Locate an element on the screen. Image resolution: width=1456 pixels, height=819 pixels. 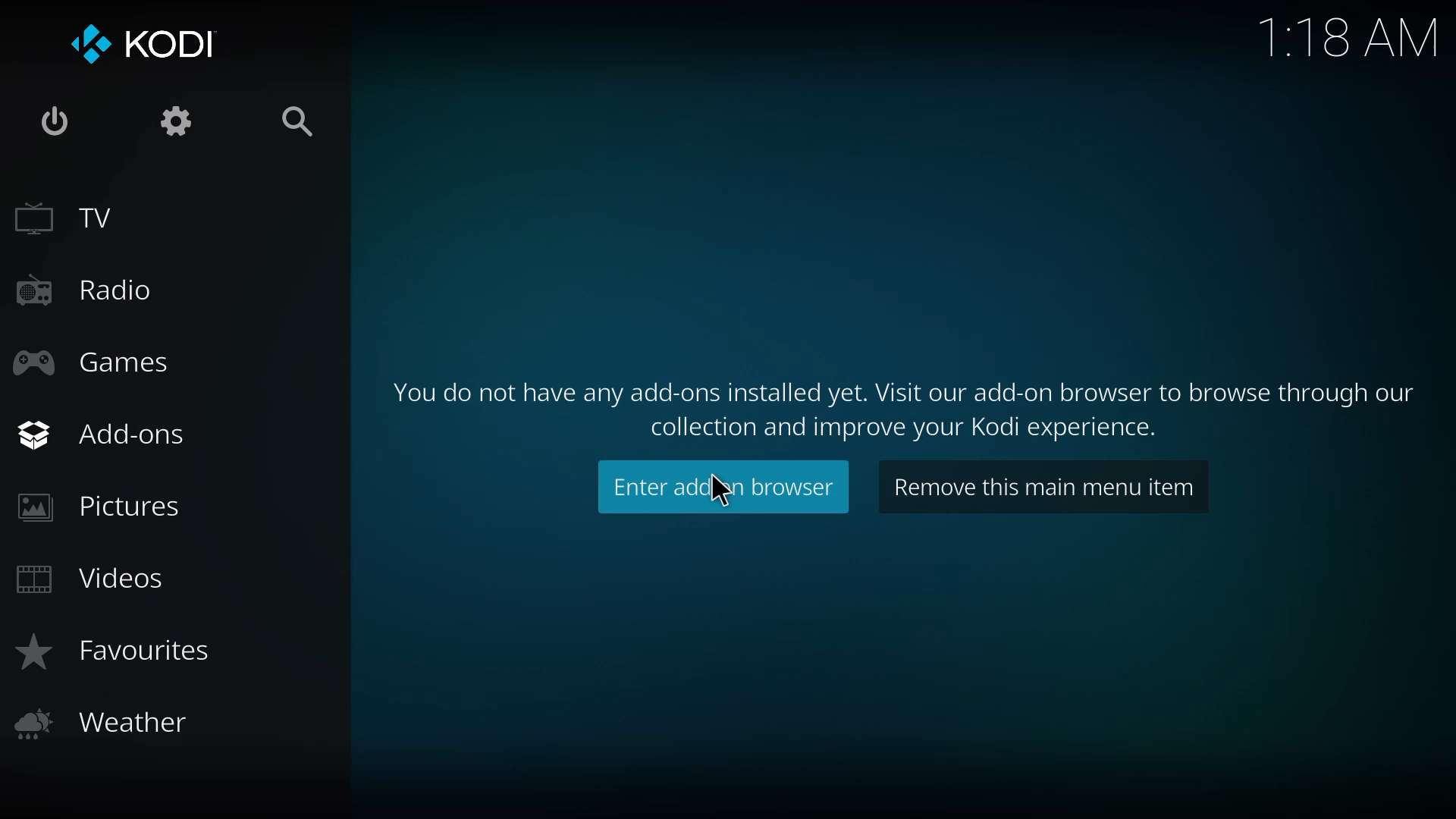
weather is located at coordinates (105, 723).